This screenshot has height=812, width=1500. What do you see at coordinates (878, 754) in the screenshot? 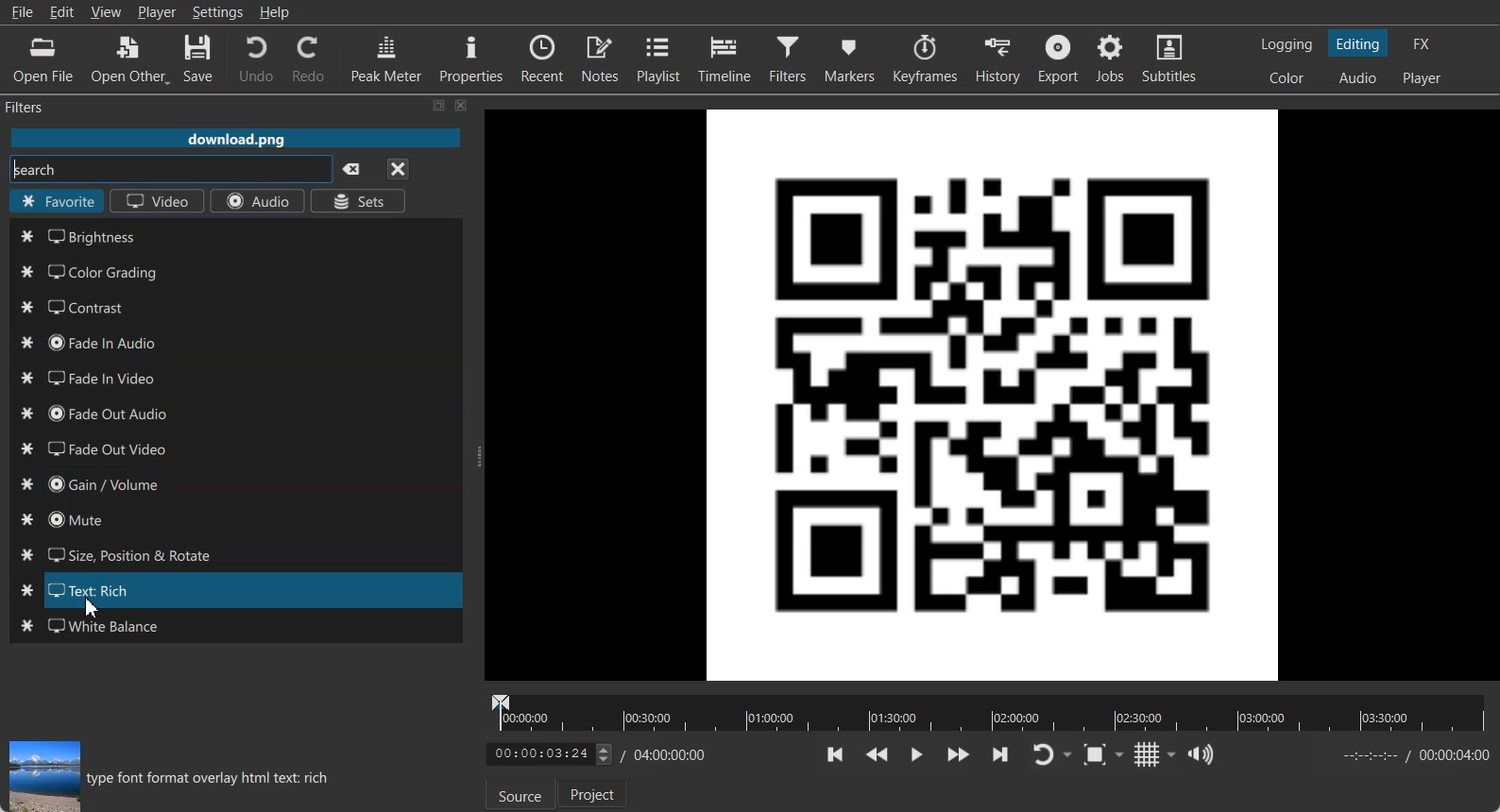
I see `Play Quickly backward` at bounding box center [878, 754].